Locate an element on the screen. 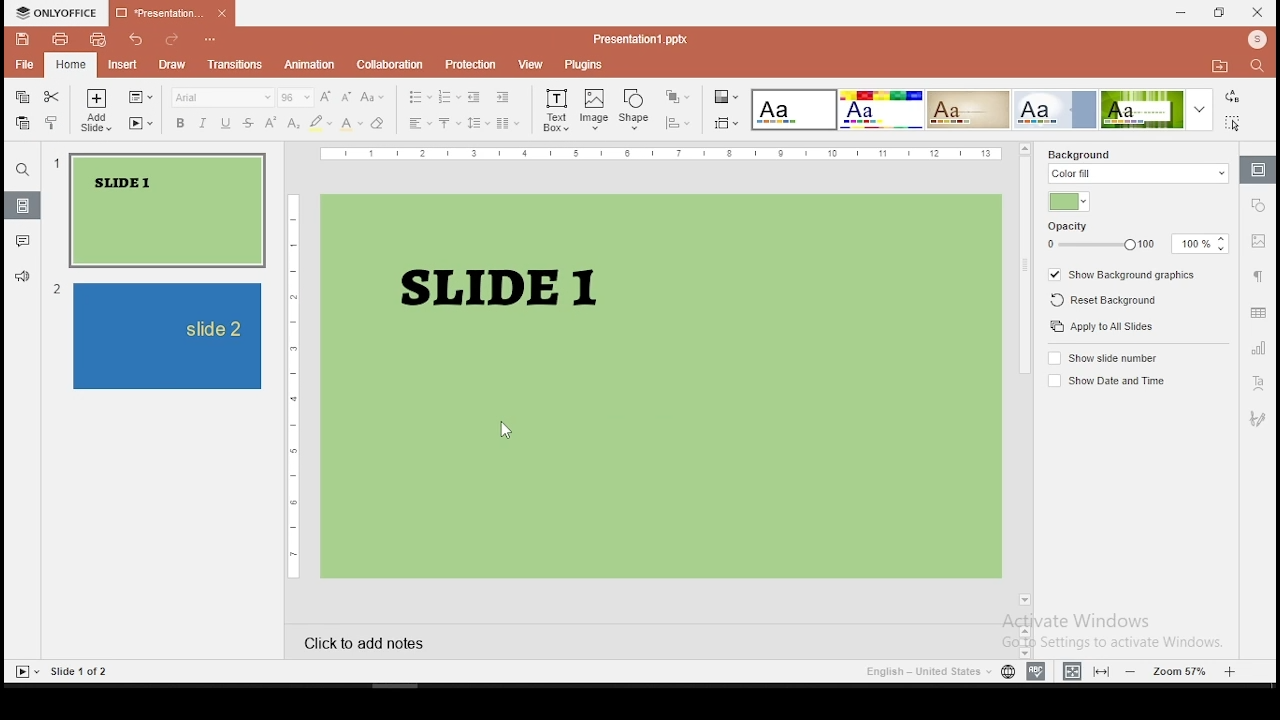  view is located at coordinates (530, 64).